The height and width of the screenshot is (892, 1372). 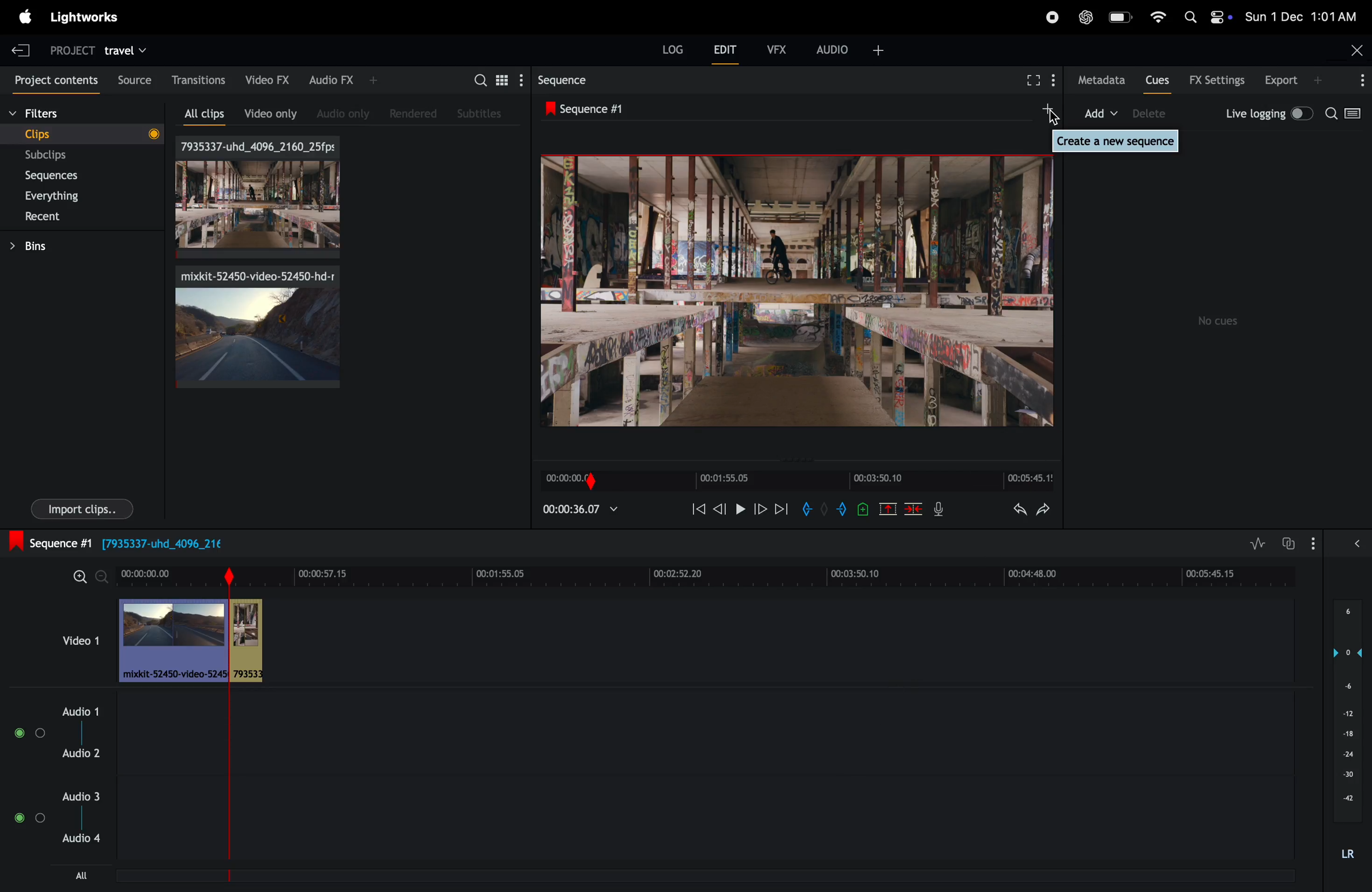 I want to click on Audio 4, so click(x=84, y=841).